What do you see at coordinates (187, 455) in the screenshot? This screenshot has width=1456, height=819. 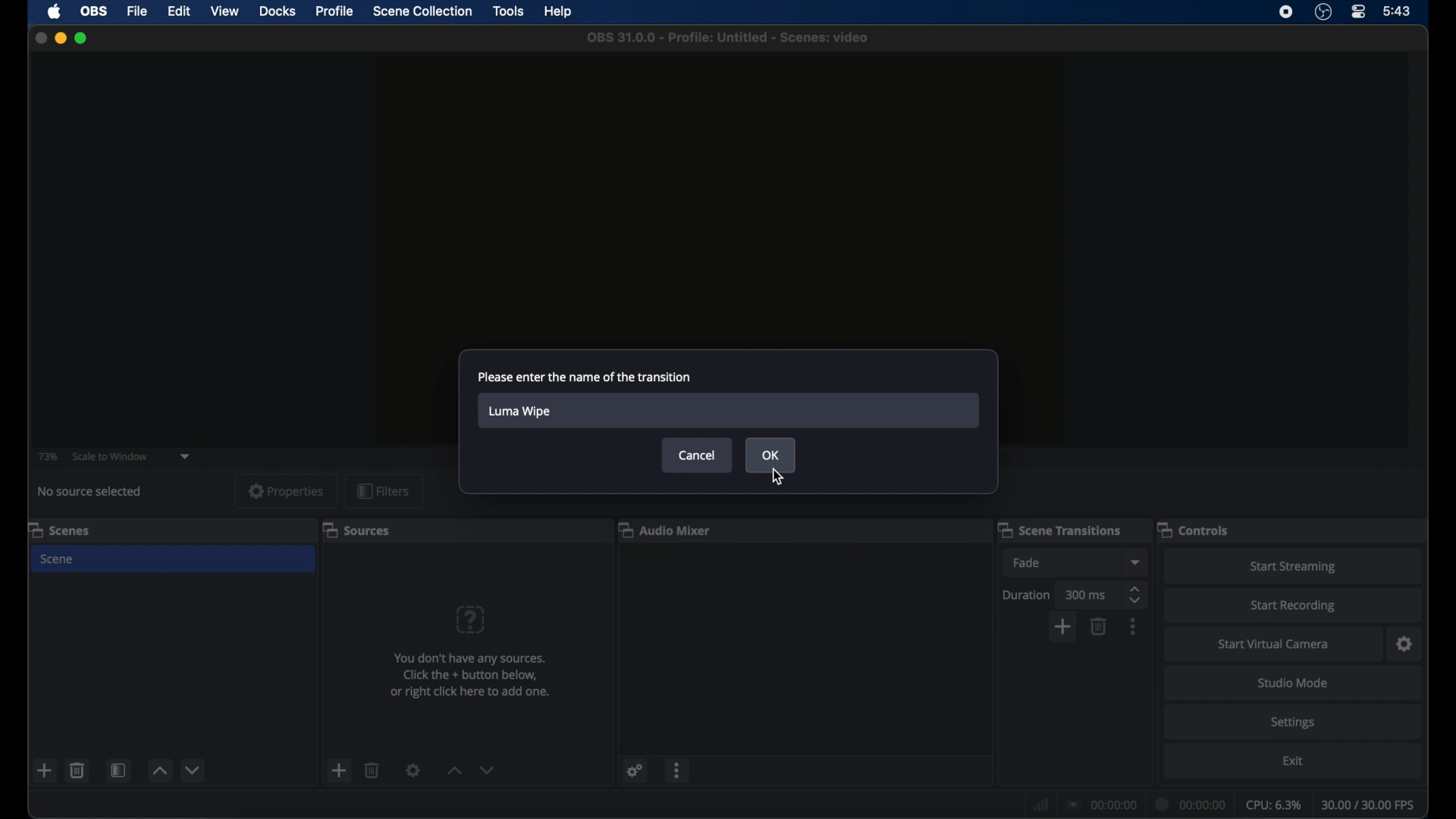 I see `dropdown` at bounding box center [187, 455].